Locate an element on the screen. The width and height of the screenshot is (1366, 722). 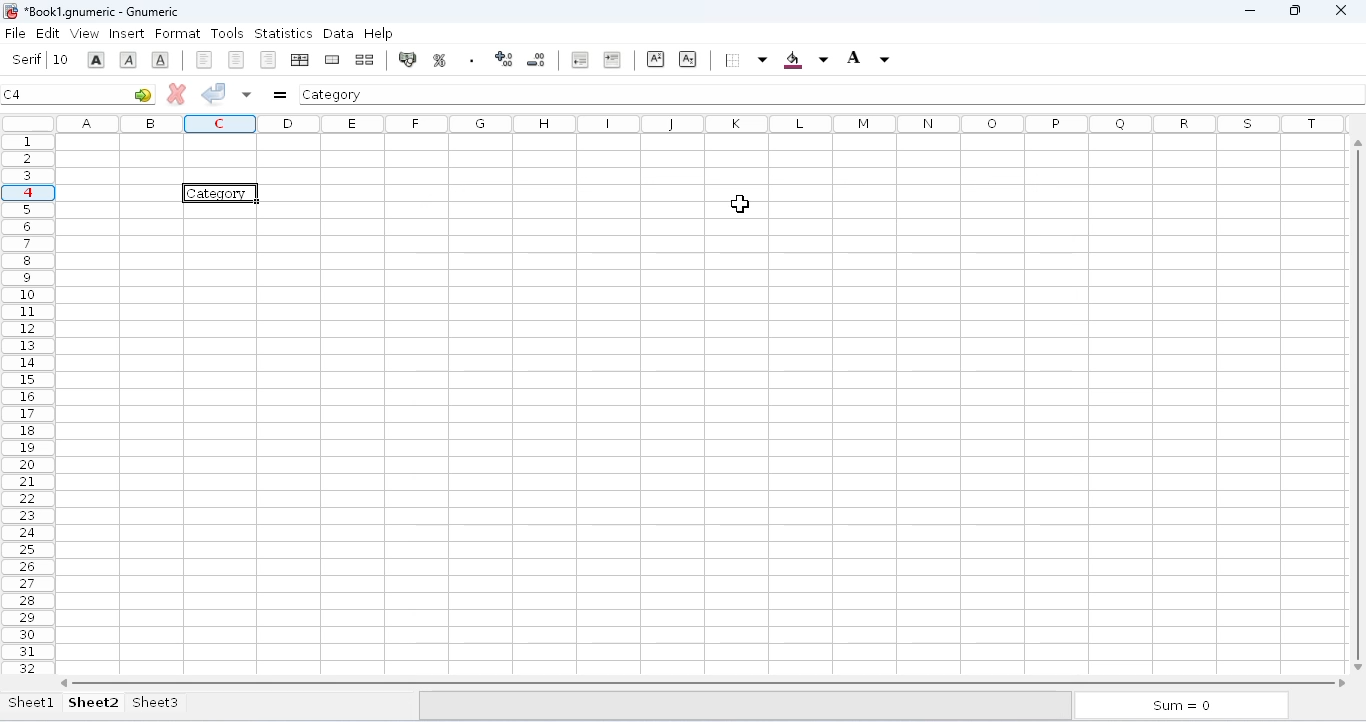
subscript is located at coordinates (731, 58).